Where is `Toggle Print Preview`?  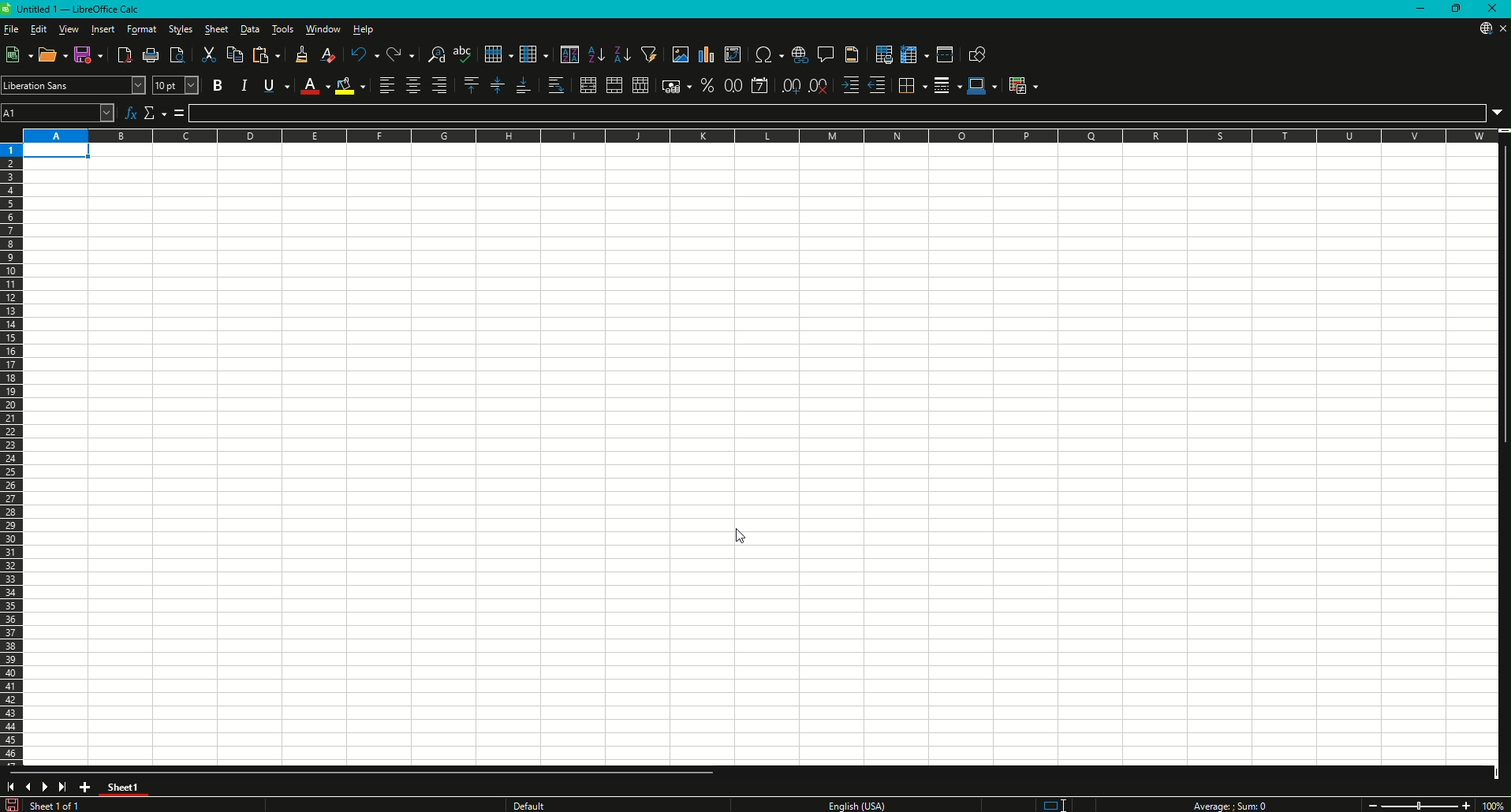 Toggle Print Preview is located at coordinates (177, 54).